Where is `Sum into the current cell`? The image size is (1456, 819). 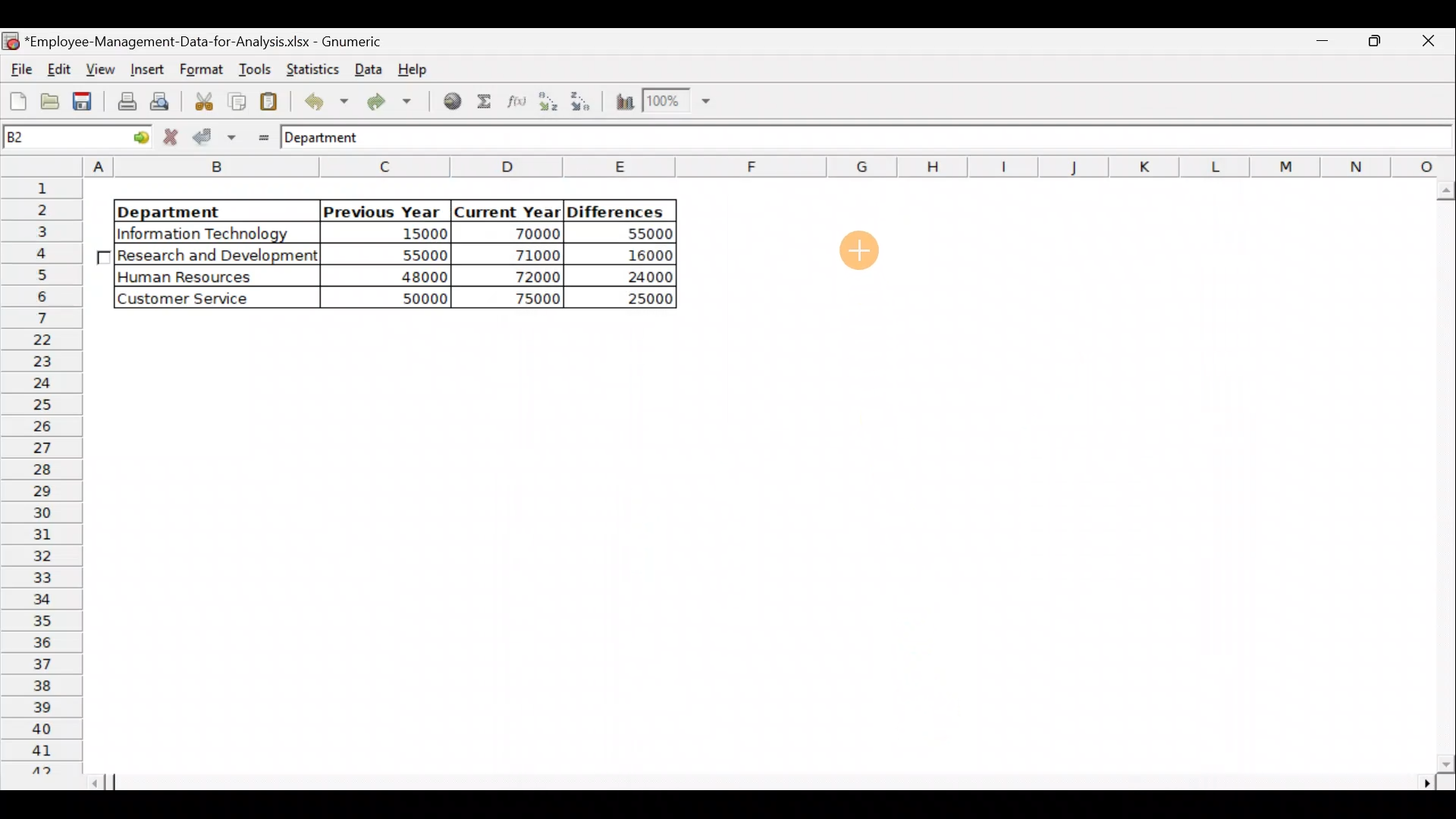
Sum into the current cell is located at coordinates (485, 100).